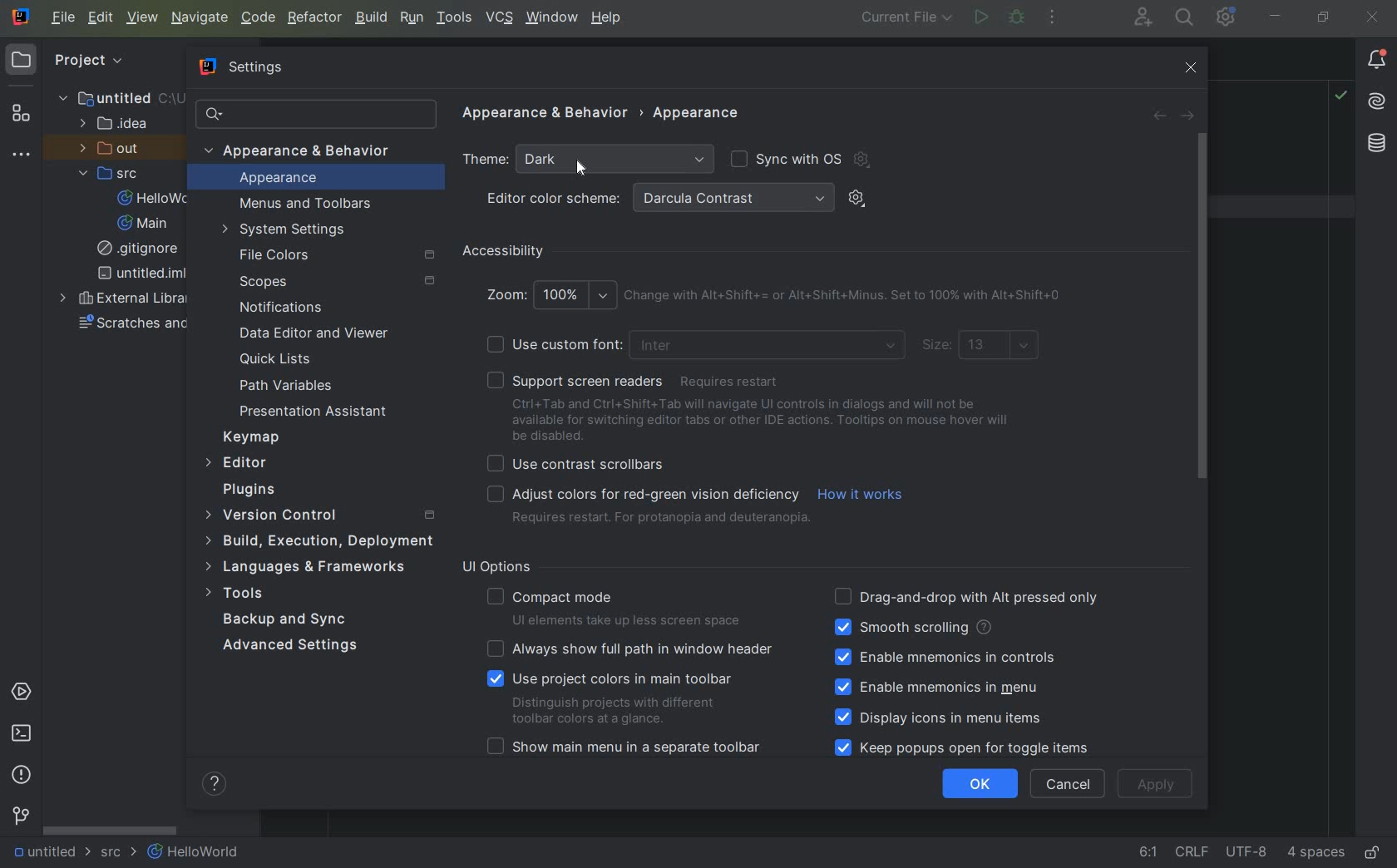  What do you see at coordinates (503, 567) in the screenshot?
I see `UI Options` at bounding box center [503, 567].